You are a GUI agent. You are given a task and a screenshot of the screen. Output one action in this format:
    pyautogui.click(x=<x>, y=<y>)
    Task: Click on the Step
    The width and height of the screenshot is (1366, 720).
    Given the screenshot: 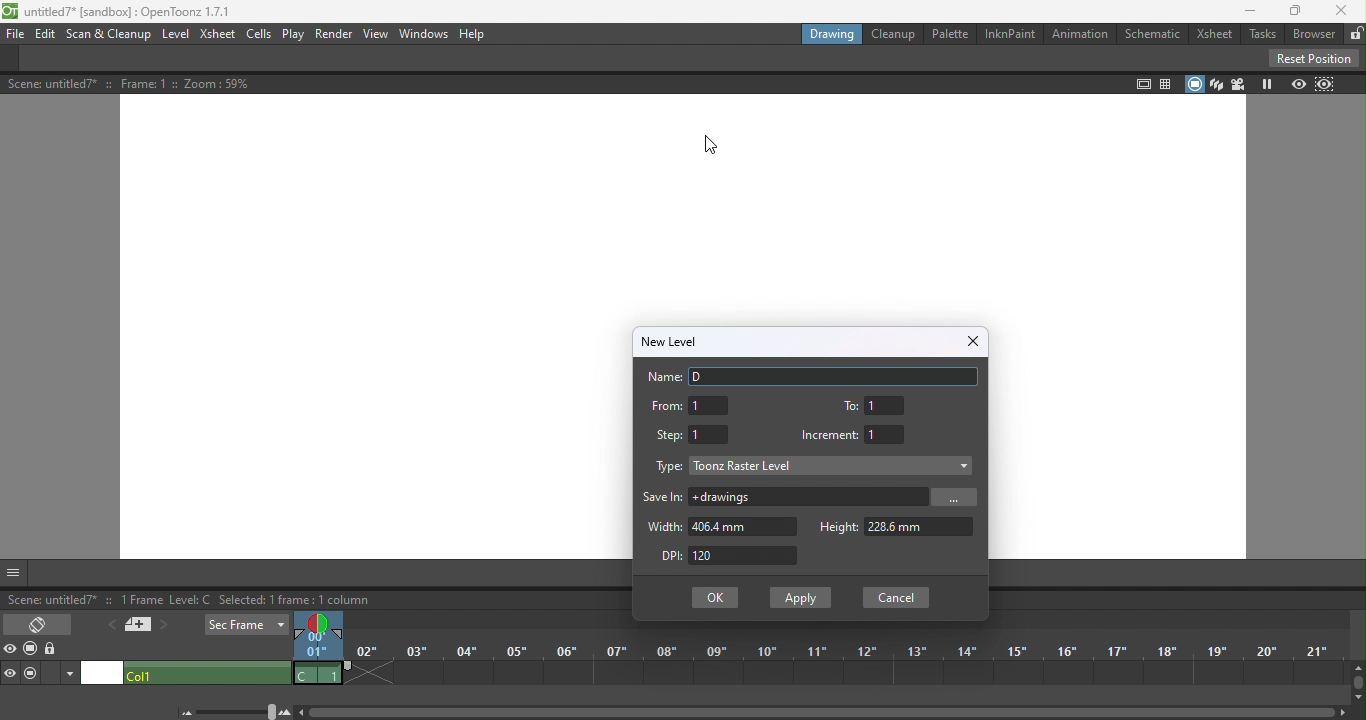 What is the action you would take?
    pyautogui.click(x=691, y=433)
    